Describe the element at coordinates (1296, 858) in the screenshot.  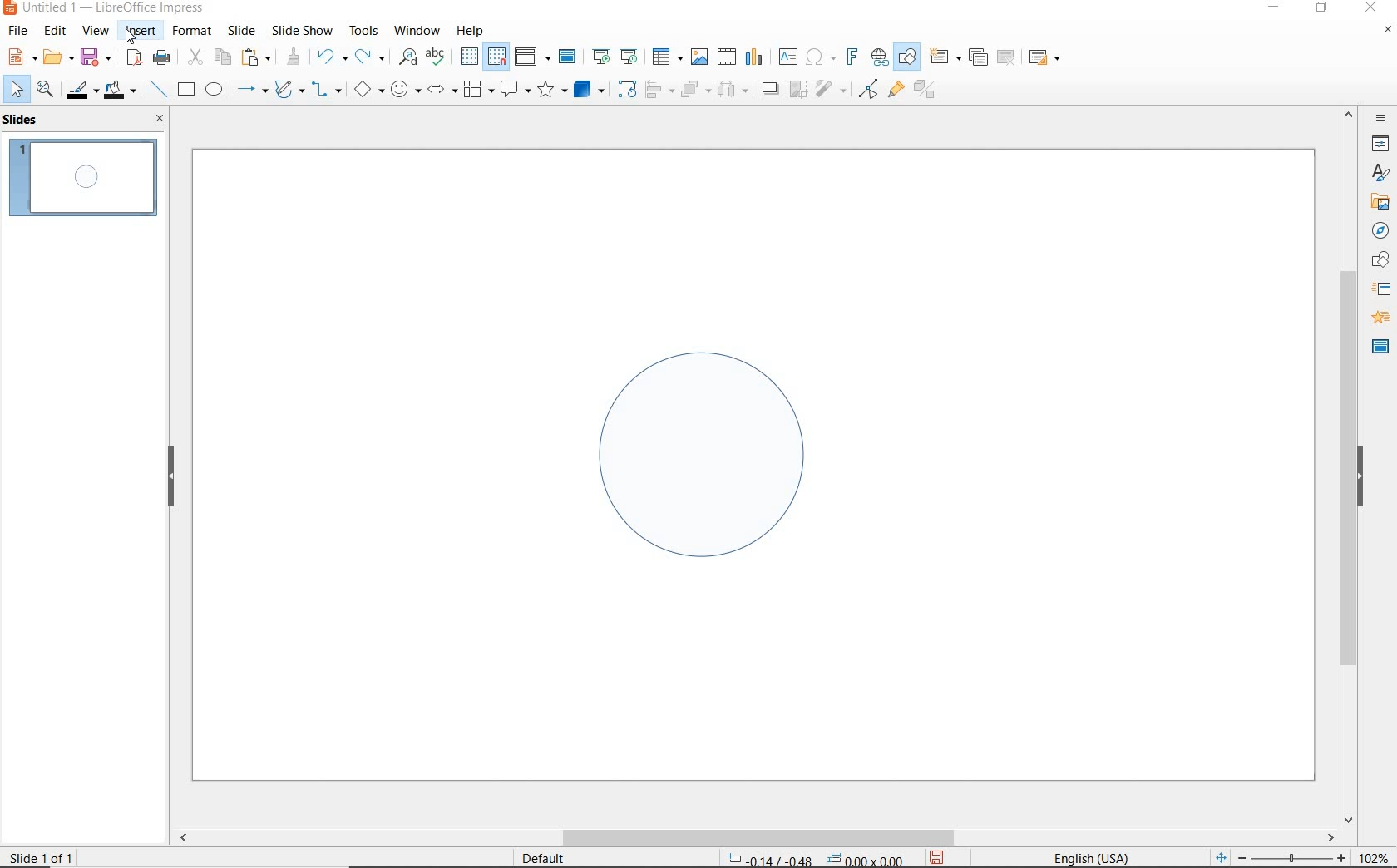
I see `zoom` at that location.